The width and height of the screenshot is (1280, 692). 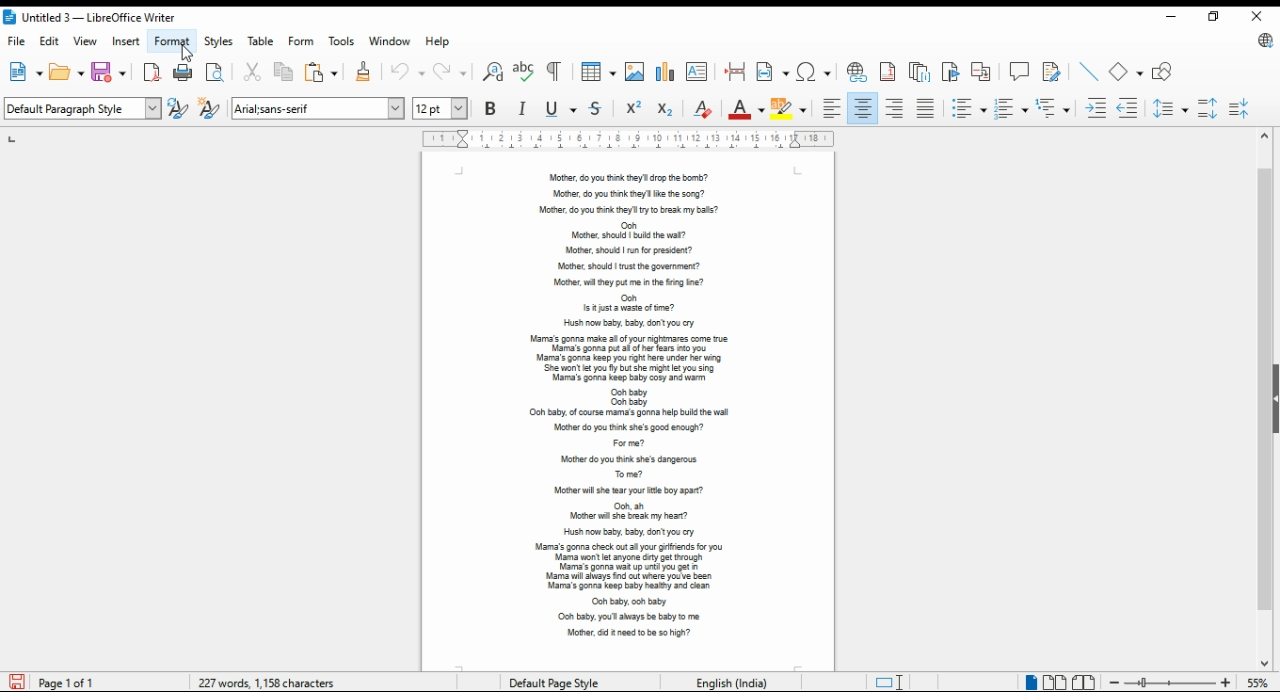 What do you see at coordinates (344, 41) in the screenshot?
I see `tools` at bounding box center [344, 41].